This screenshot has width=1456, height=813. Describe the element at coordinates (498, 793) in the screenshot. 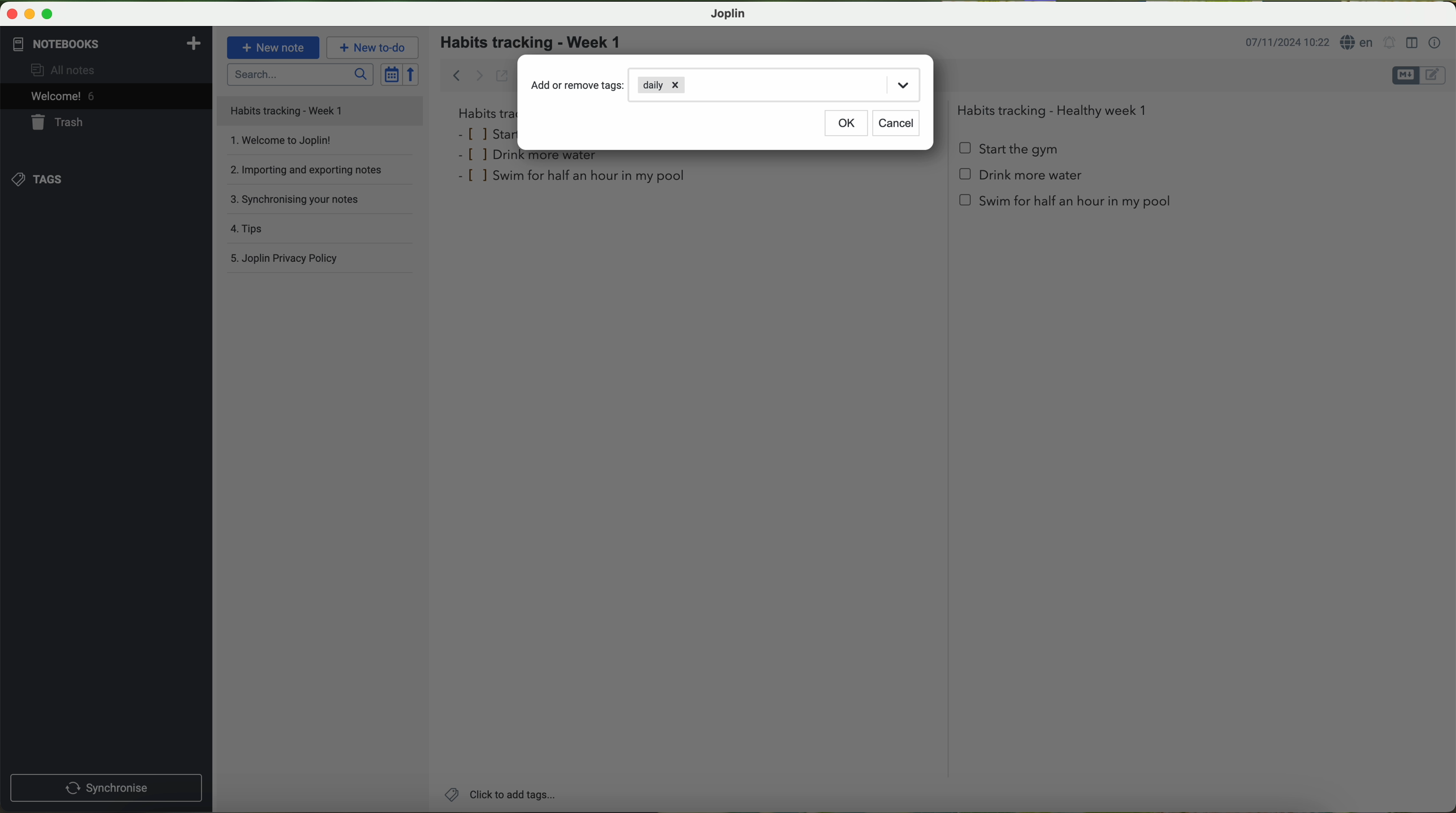

I see `click on add tags` at that location.